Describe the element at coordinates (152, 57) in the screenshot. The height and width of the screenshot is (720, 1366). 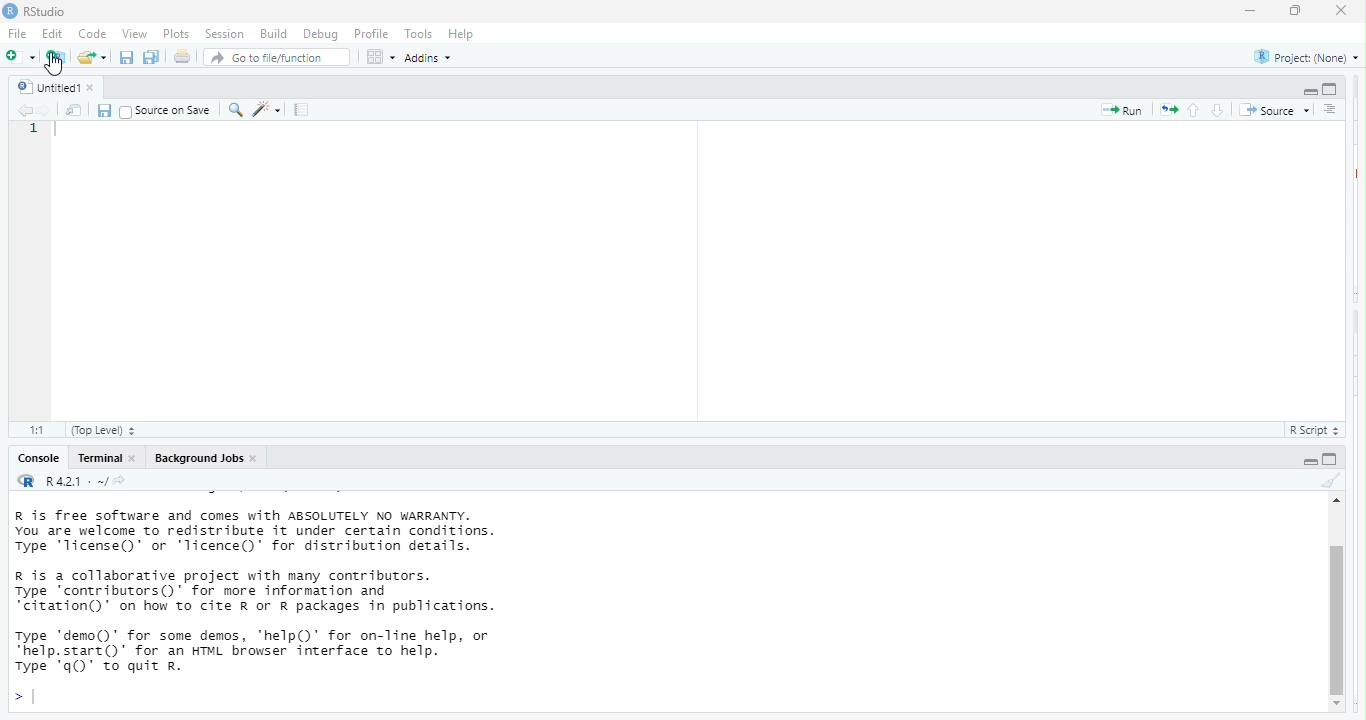
I see `save all open documents` at that location.